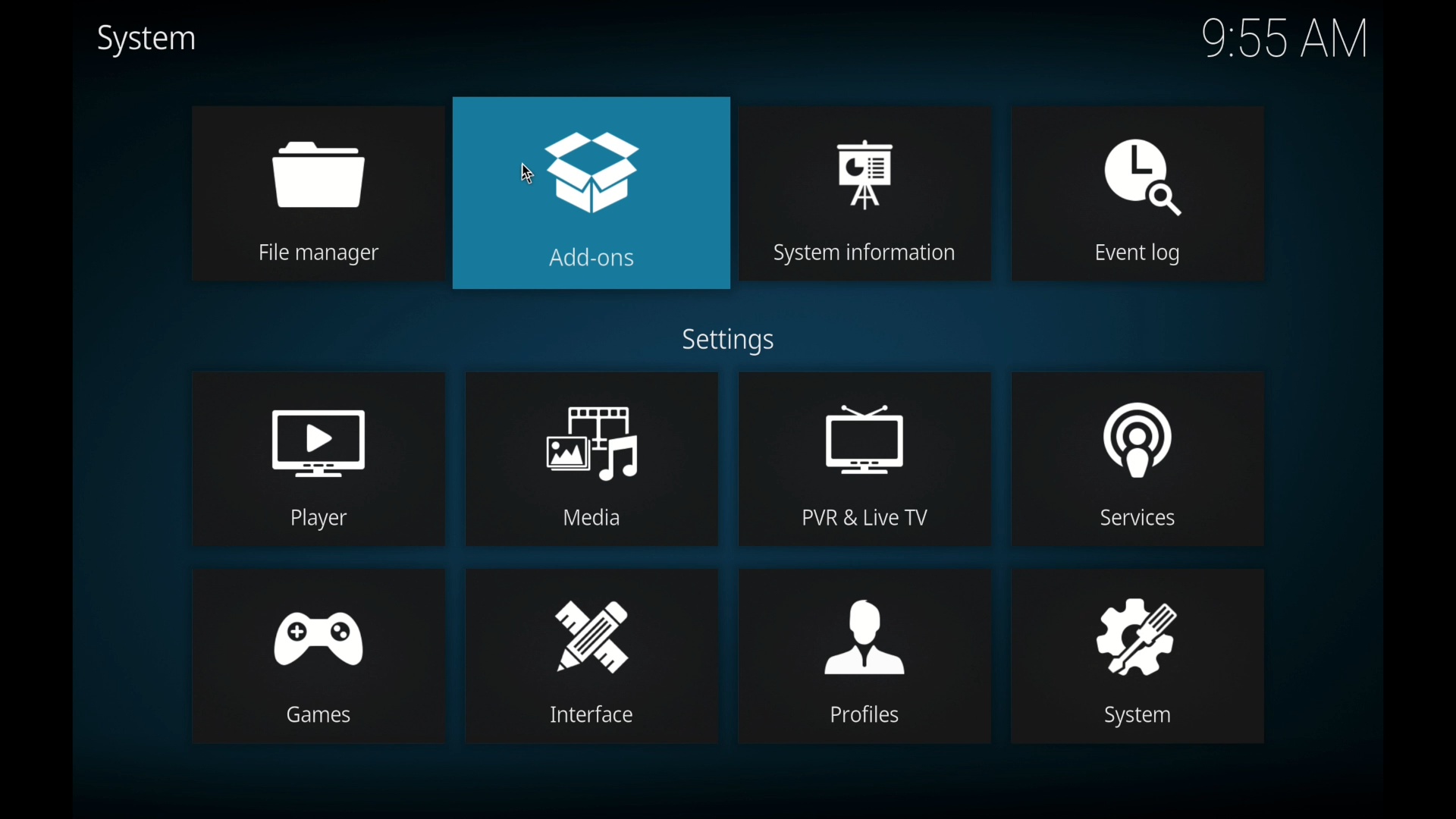  I want to click on games, so click(318, 655).